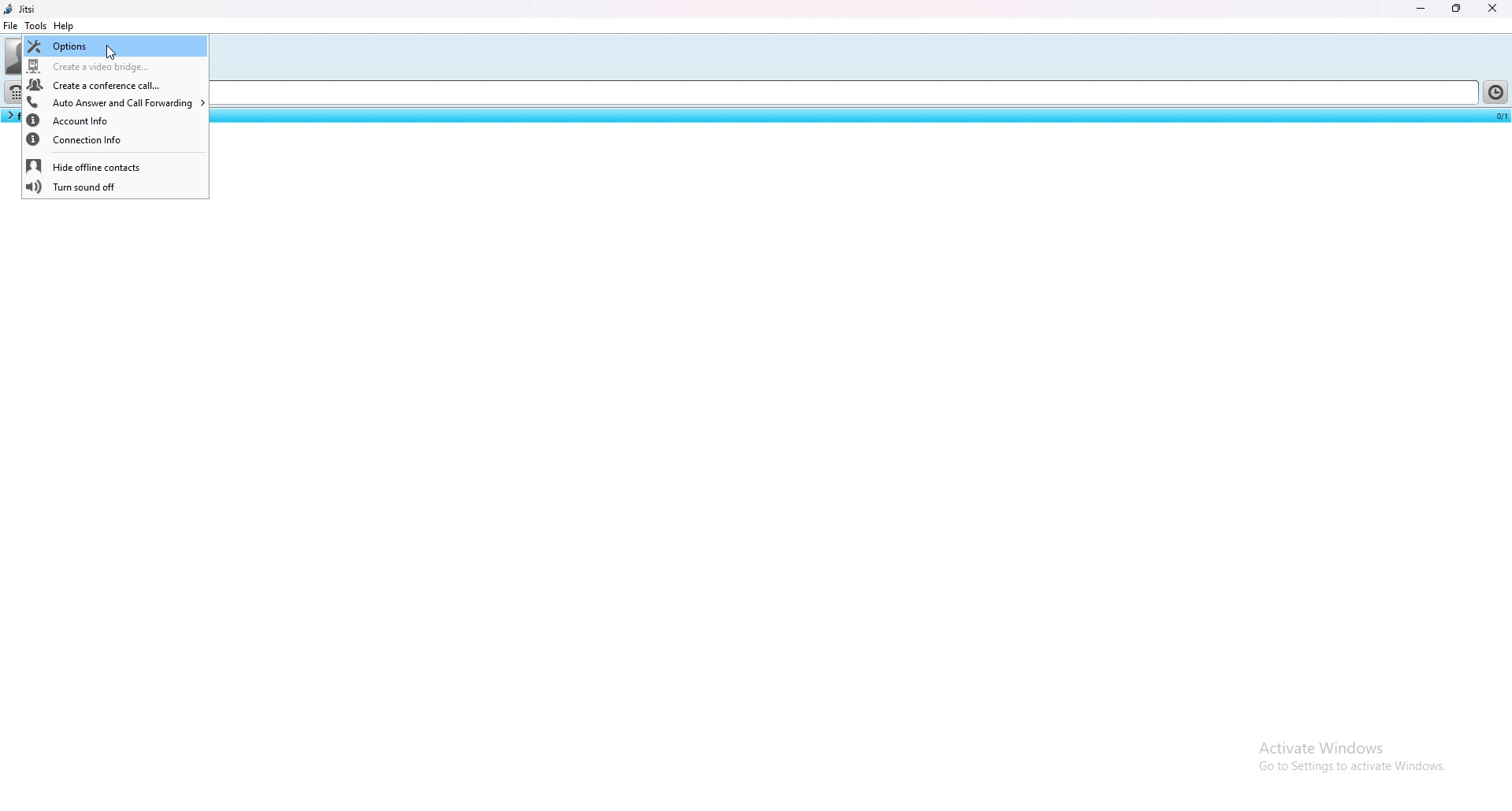 This screenshot has height=811, width=1512. I want to click on file, so click(11, 25).